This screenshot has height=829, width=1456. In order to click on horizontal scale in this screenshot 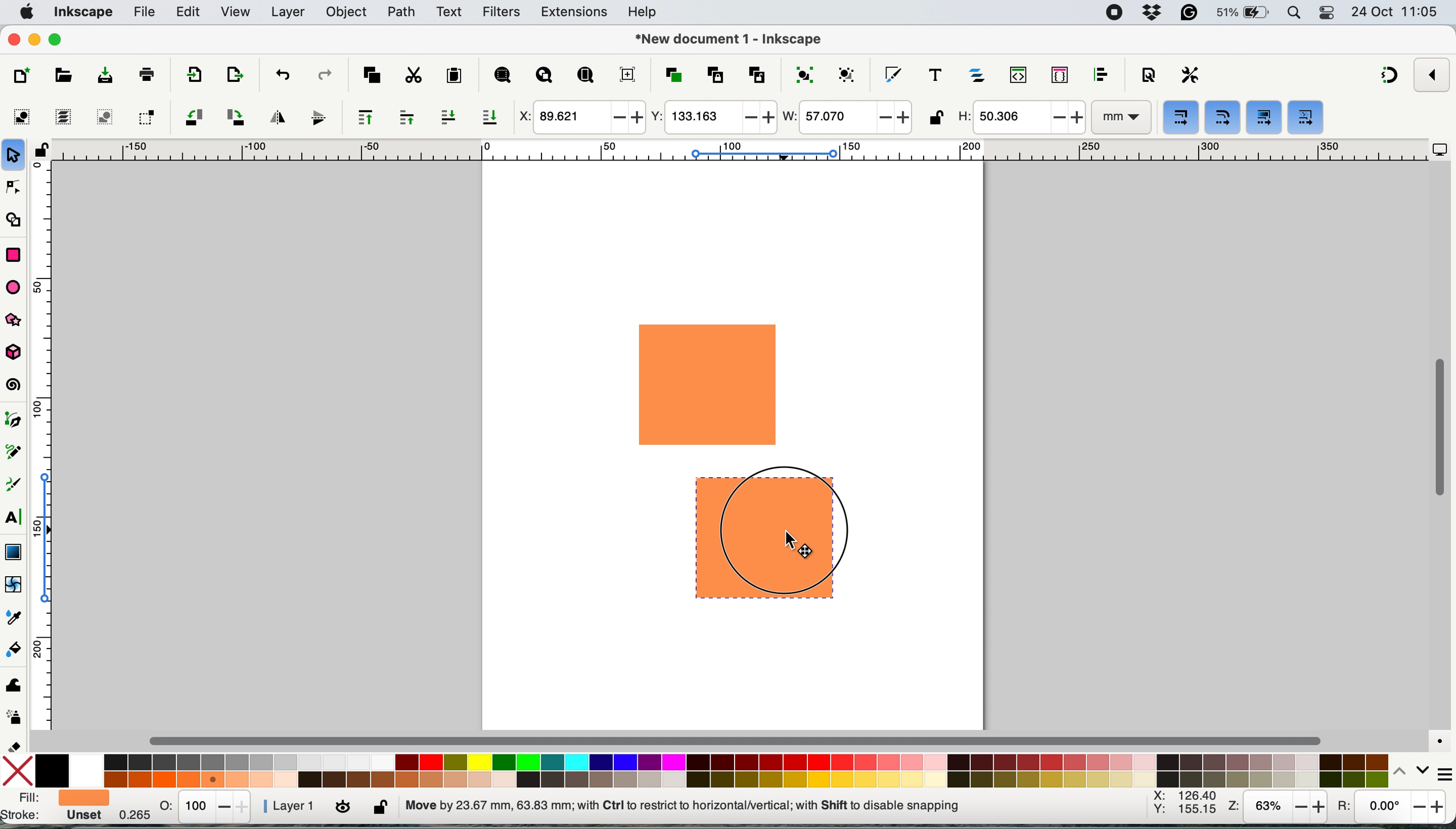, I will do `click(739, 153)`.